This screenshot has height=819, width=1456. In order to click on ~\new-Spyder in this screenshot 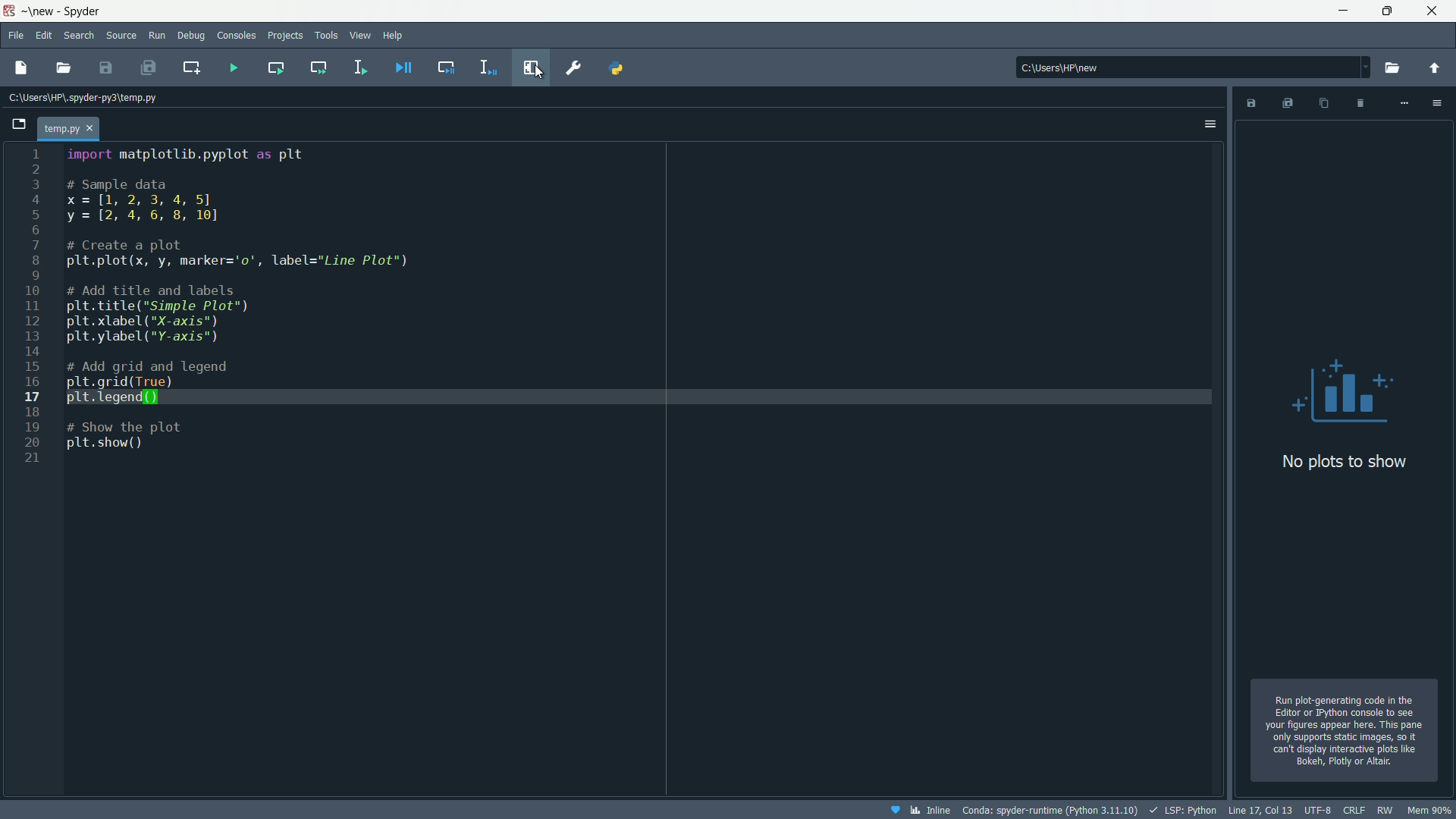, I will do `click(66, 11)`.